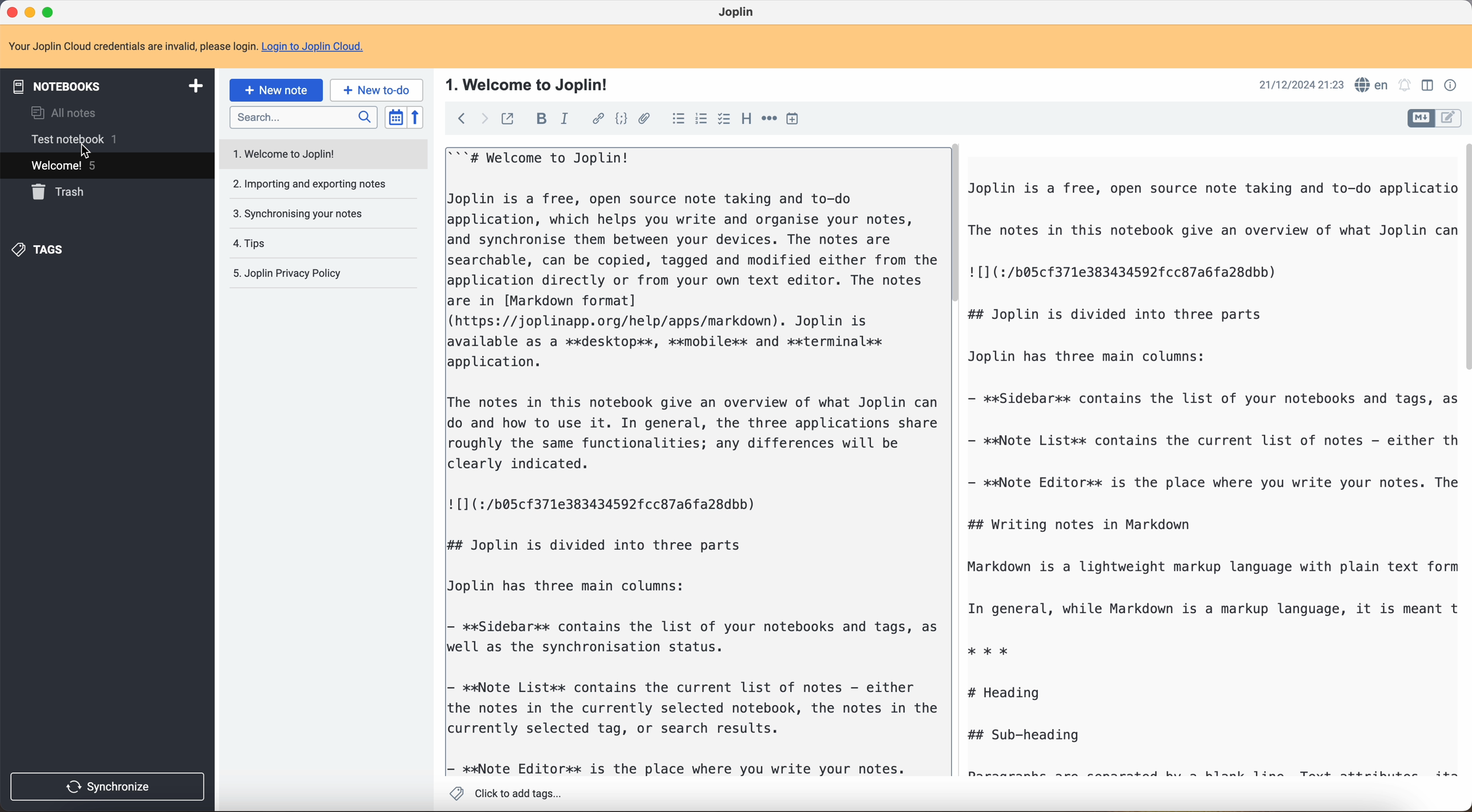  I want to click on heading, so click(746, 121).